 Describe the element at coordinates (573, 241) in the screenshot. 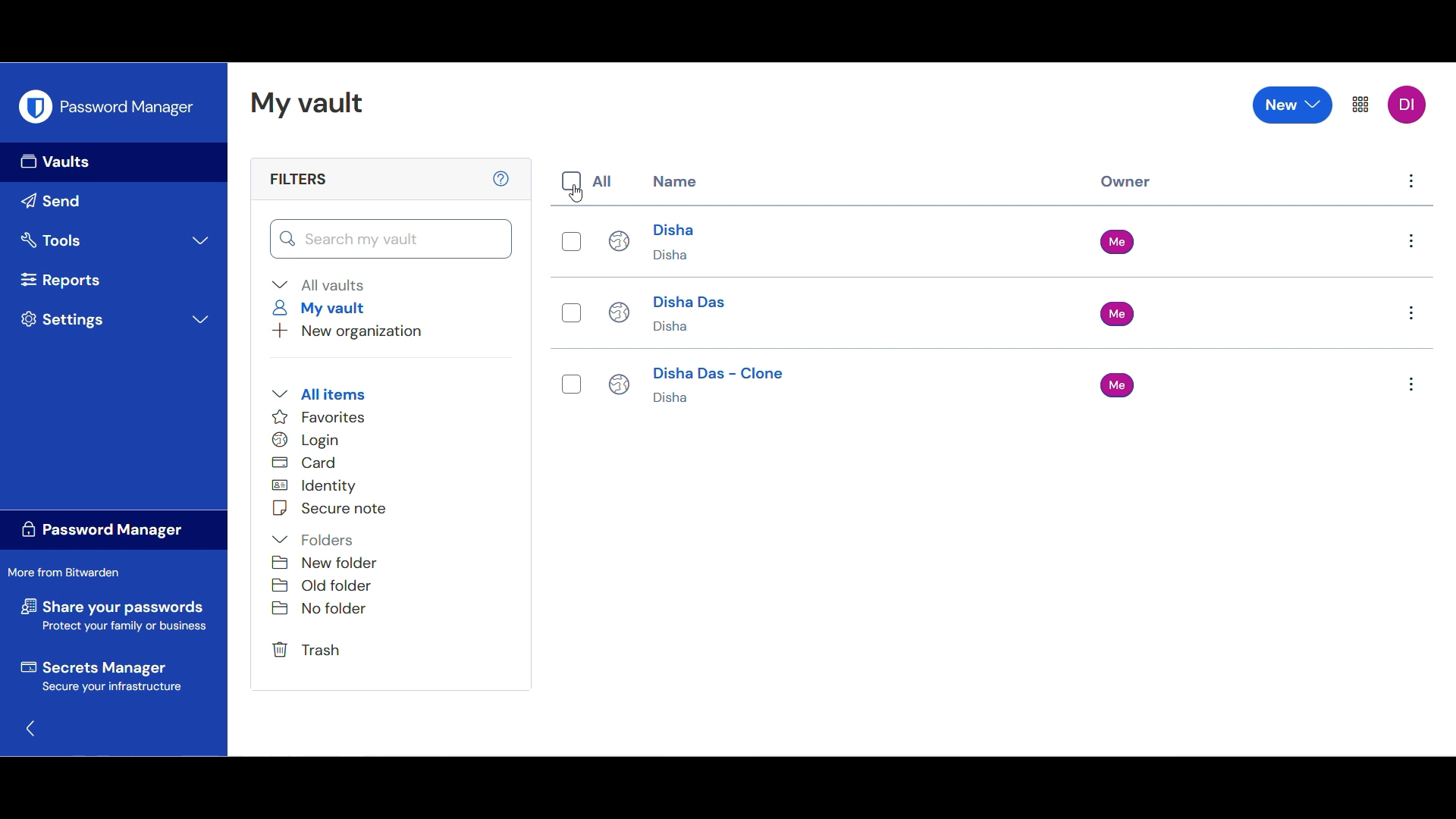

I see `Indicates toggle on/off` at that location.